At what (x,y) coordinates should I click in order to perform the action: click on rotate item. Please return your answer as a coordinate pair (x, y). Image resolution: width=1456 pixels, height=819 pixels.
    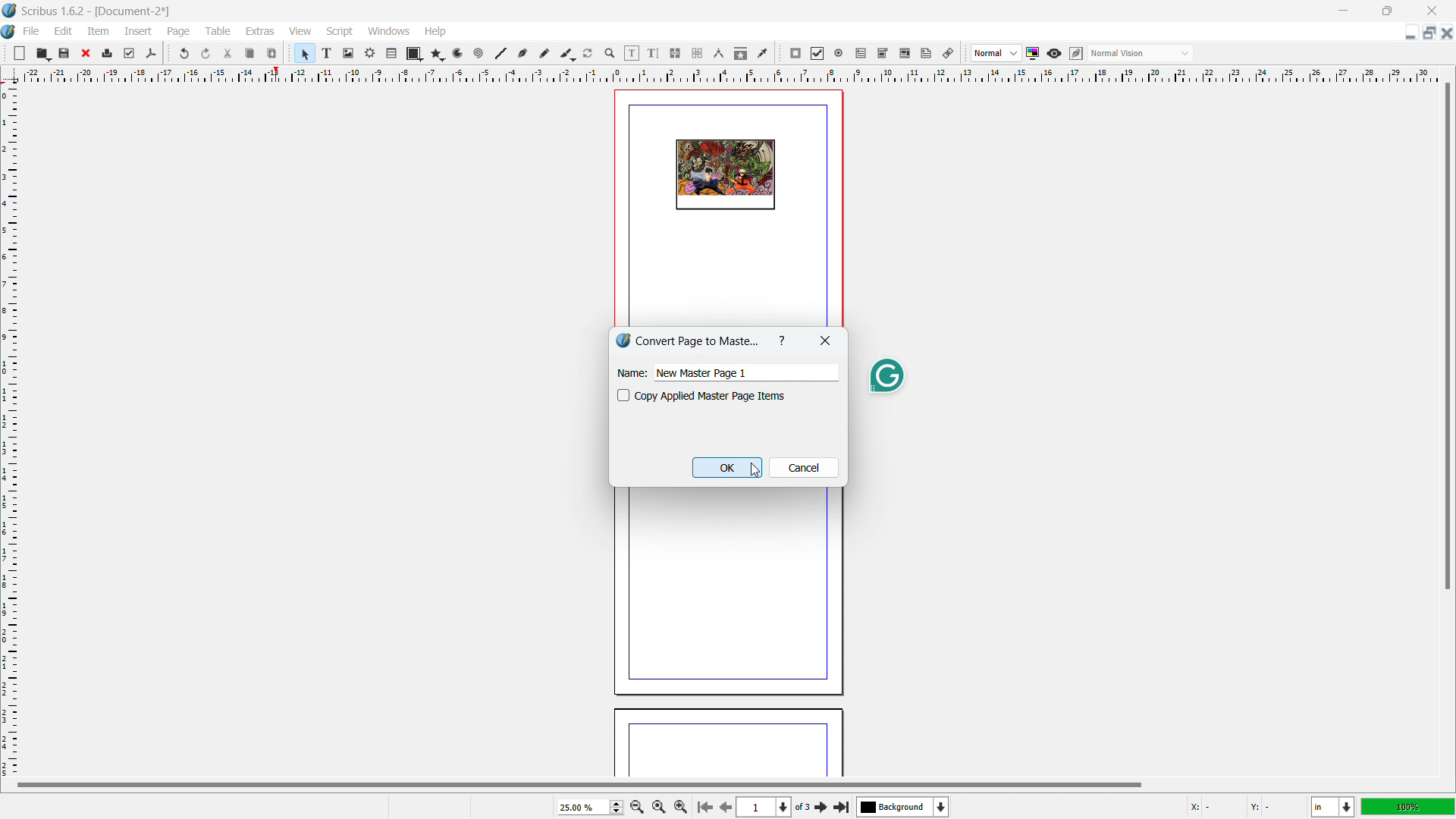
    Looking at the image, I should click on (588, 54).